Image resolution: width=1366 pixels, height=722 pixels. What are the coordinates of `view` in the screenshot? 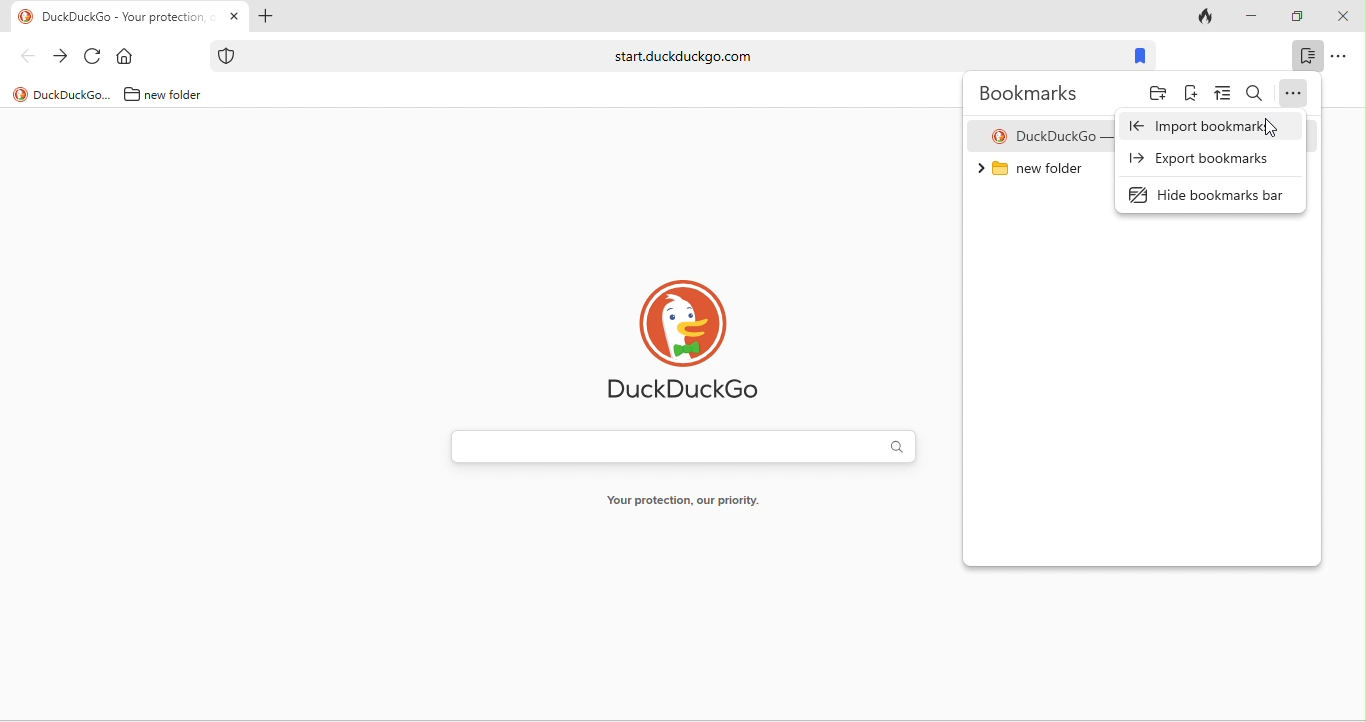 It's located at (1223, 95).